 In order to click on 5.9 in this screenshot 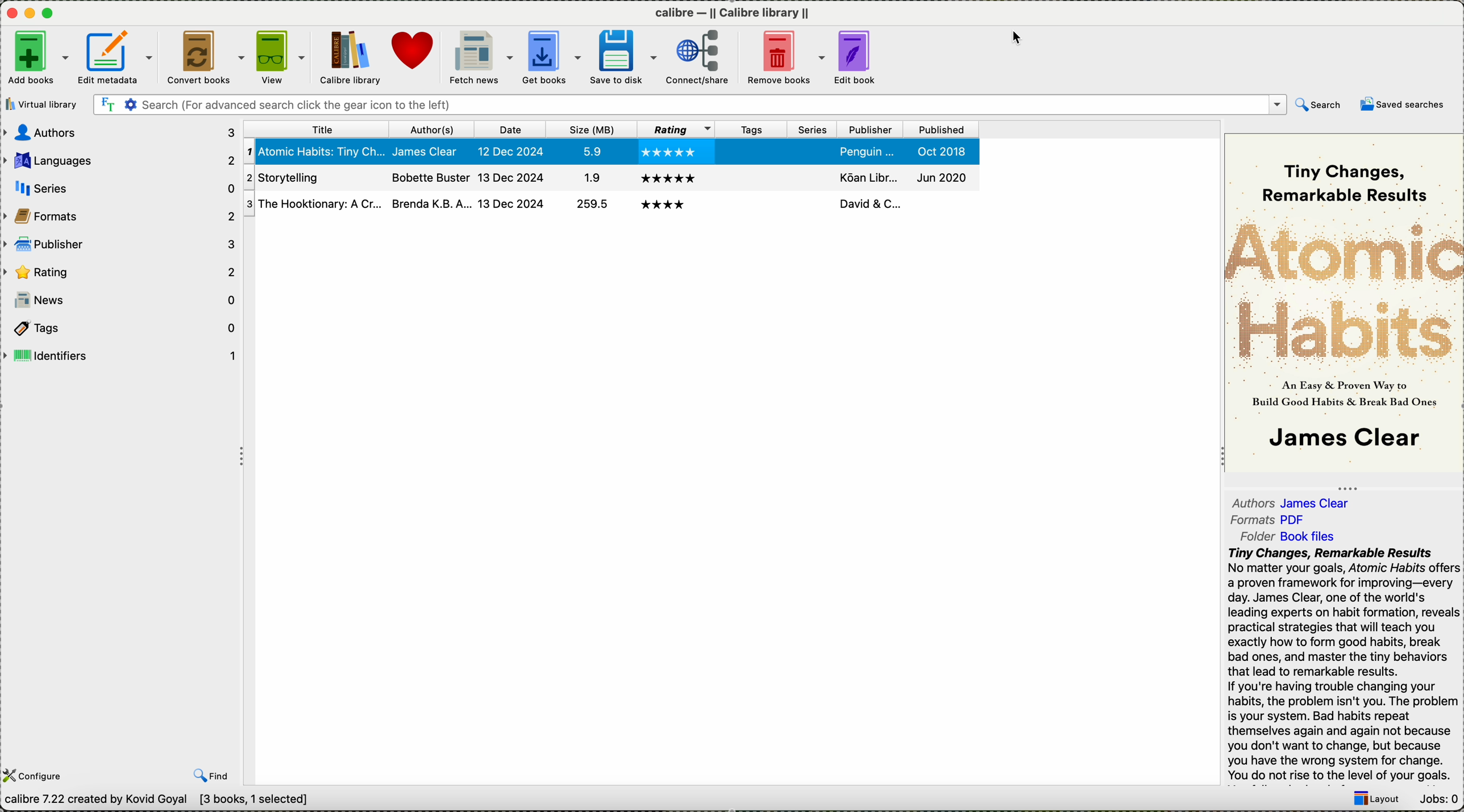, I will do `click(589, 151)`.